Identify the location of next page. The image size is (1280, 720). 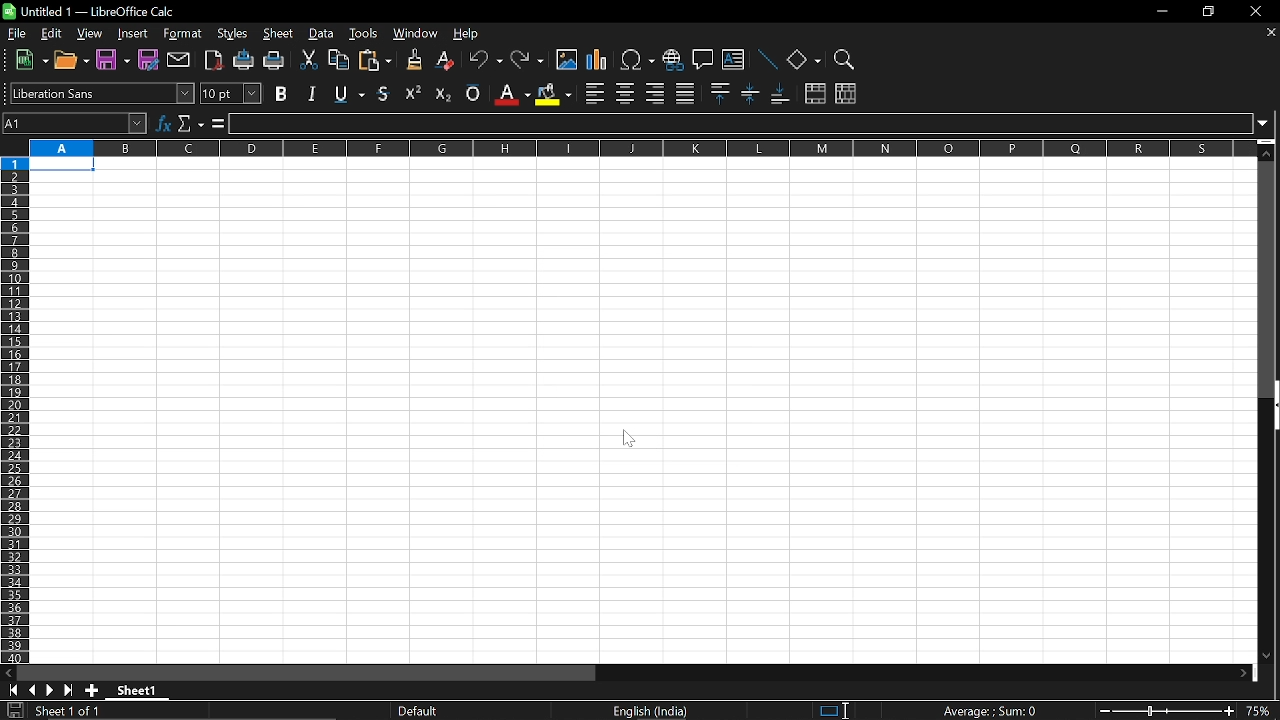
(50, 691).